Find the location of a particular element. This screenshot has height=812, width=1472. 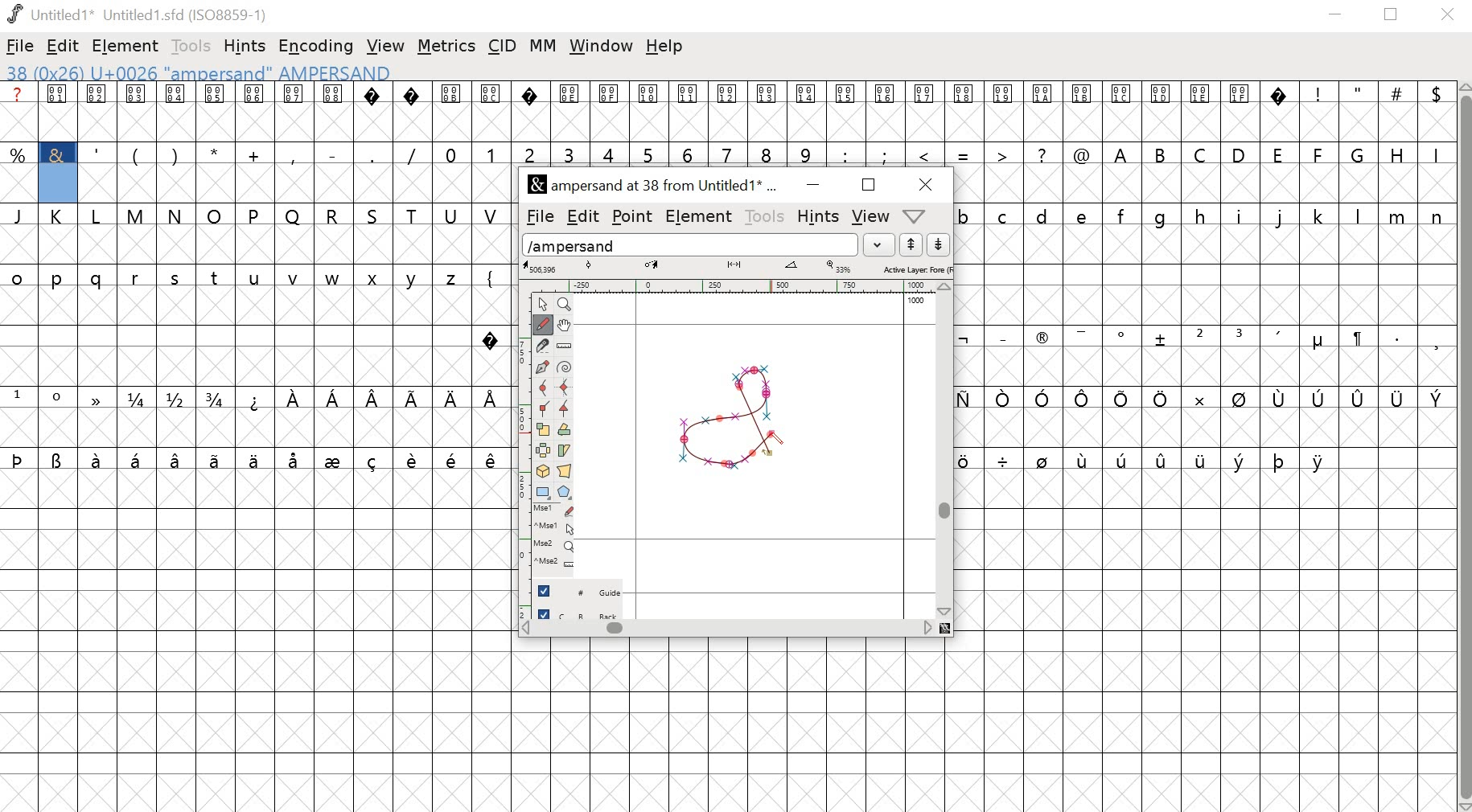

symbol is located at coordinates (99, 459).